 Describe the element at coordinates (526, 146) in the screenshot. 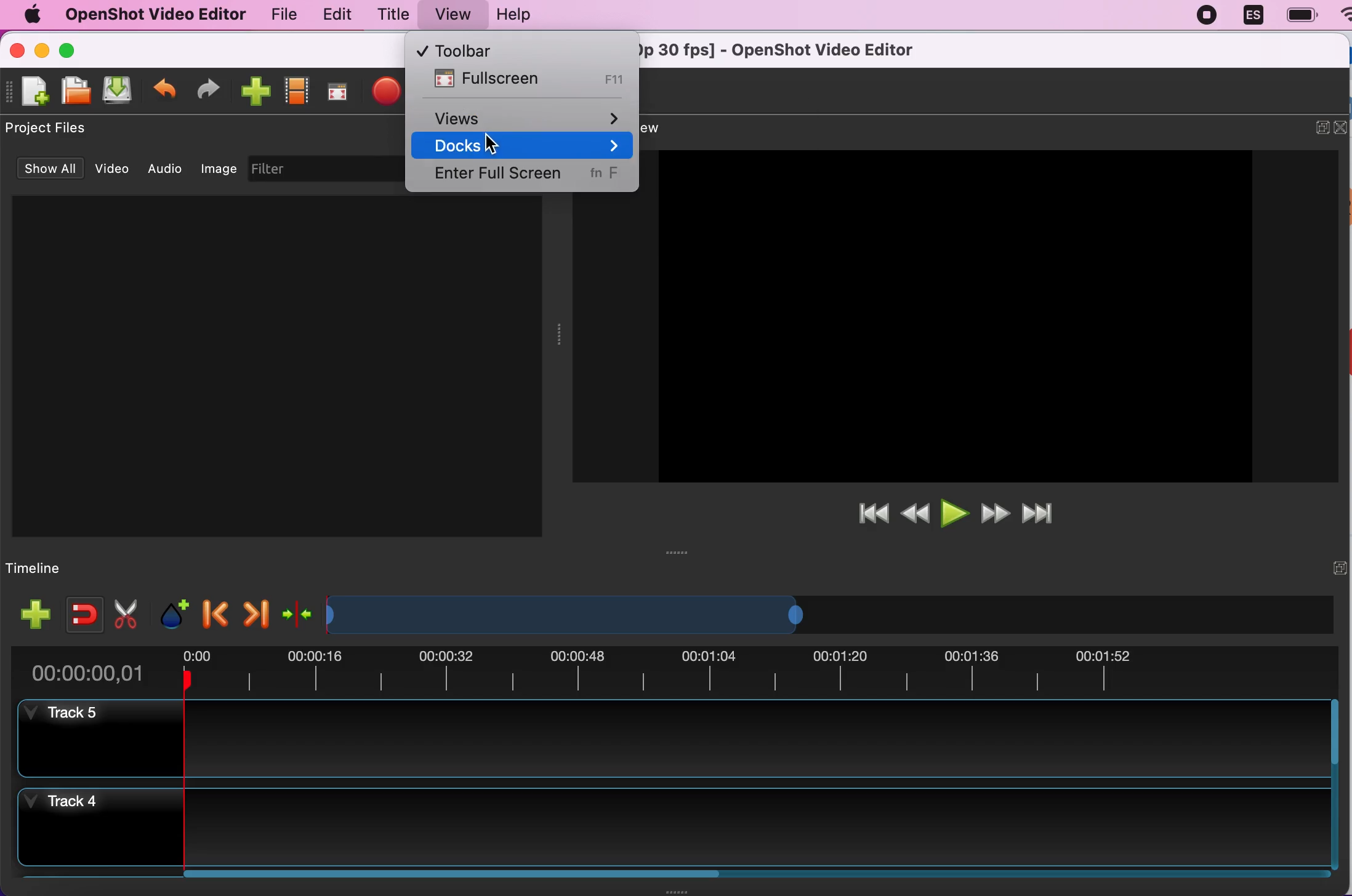

I see `docks` at that location.